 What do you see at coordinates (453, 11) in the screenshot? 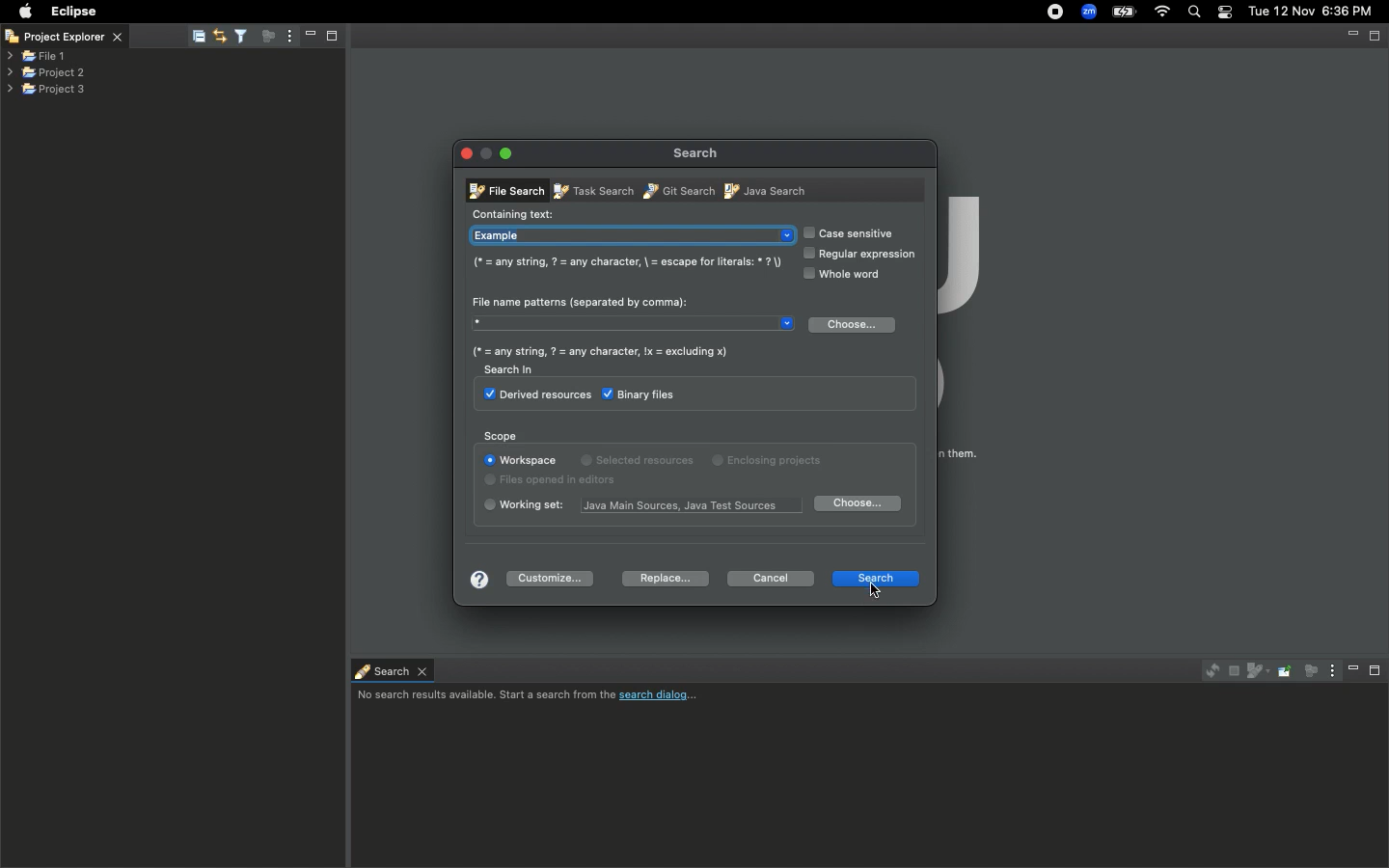
I see `Window` at bounding box center [453, 11].